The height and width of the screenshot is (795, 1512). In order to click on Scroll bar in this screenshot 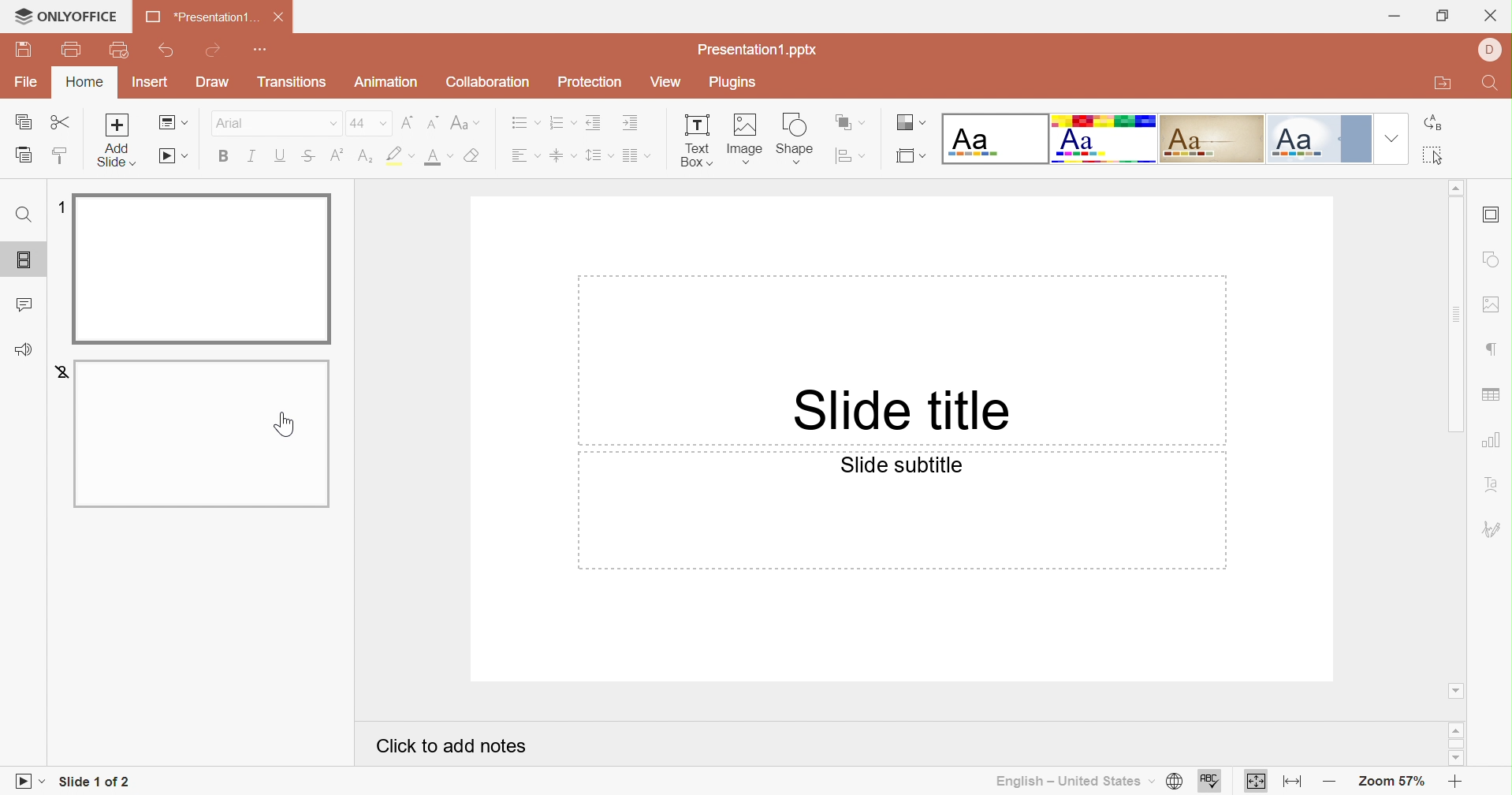, I will do `click(1454, 315)`.